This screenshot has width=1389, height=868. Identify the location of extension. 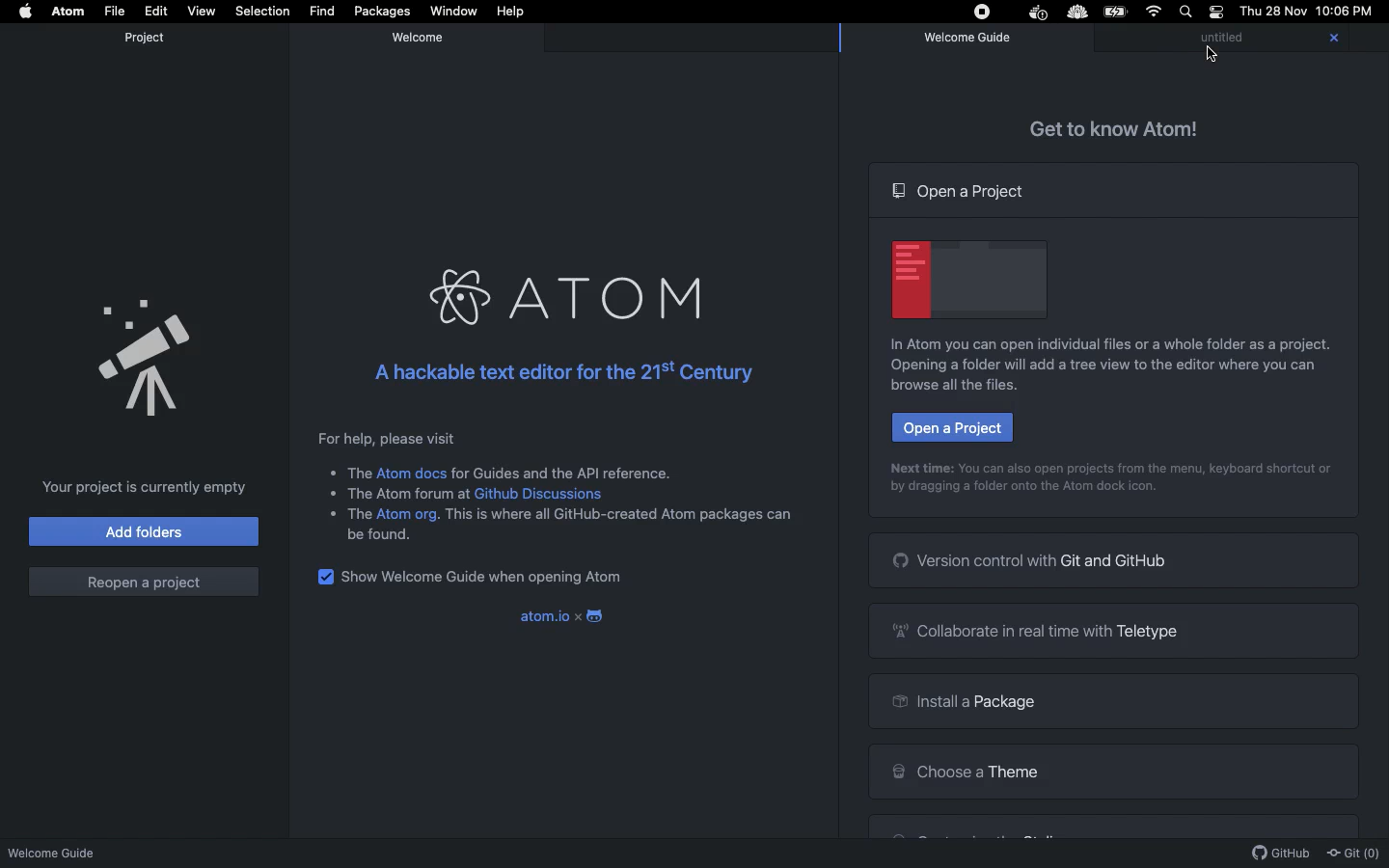
(1079, 13).